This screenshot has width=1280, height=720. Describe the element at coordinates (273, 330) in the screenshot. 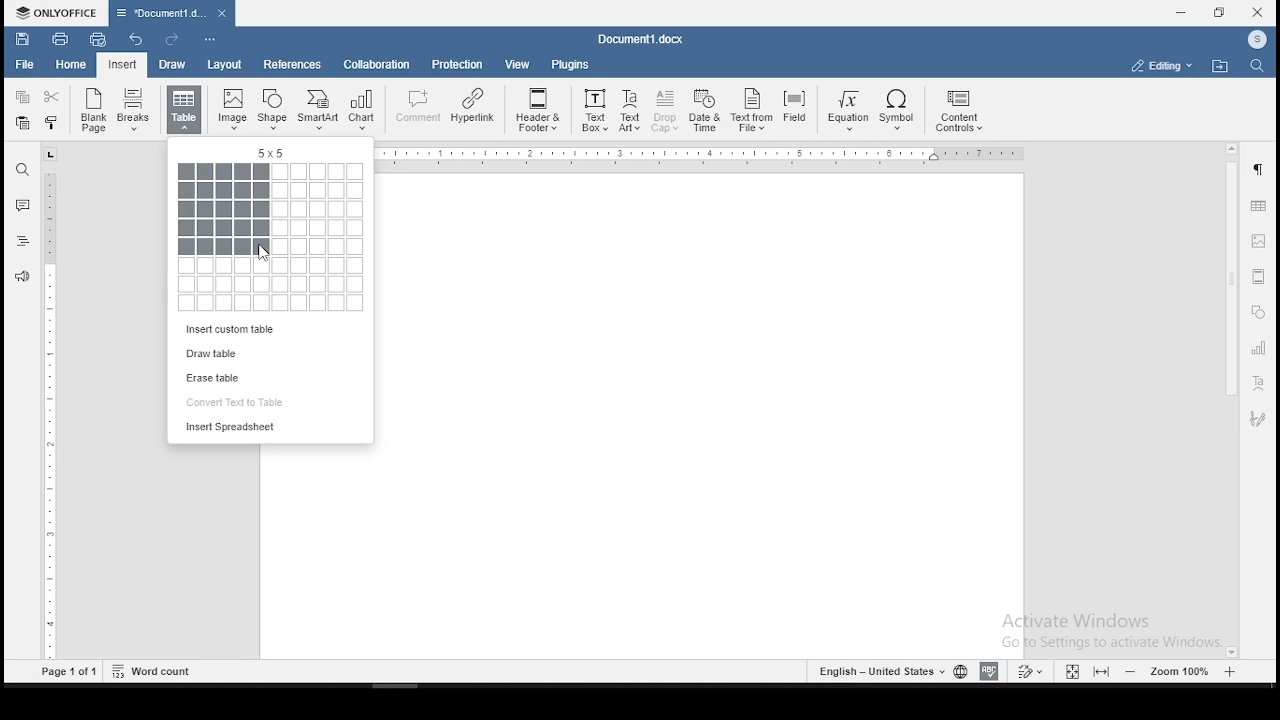

I see `insert custom table` at that location.